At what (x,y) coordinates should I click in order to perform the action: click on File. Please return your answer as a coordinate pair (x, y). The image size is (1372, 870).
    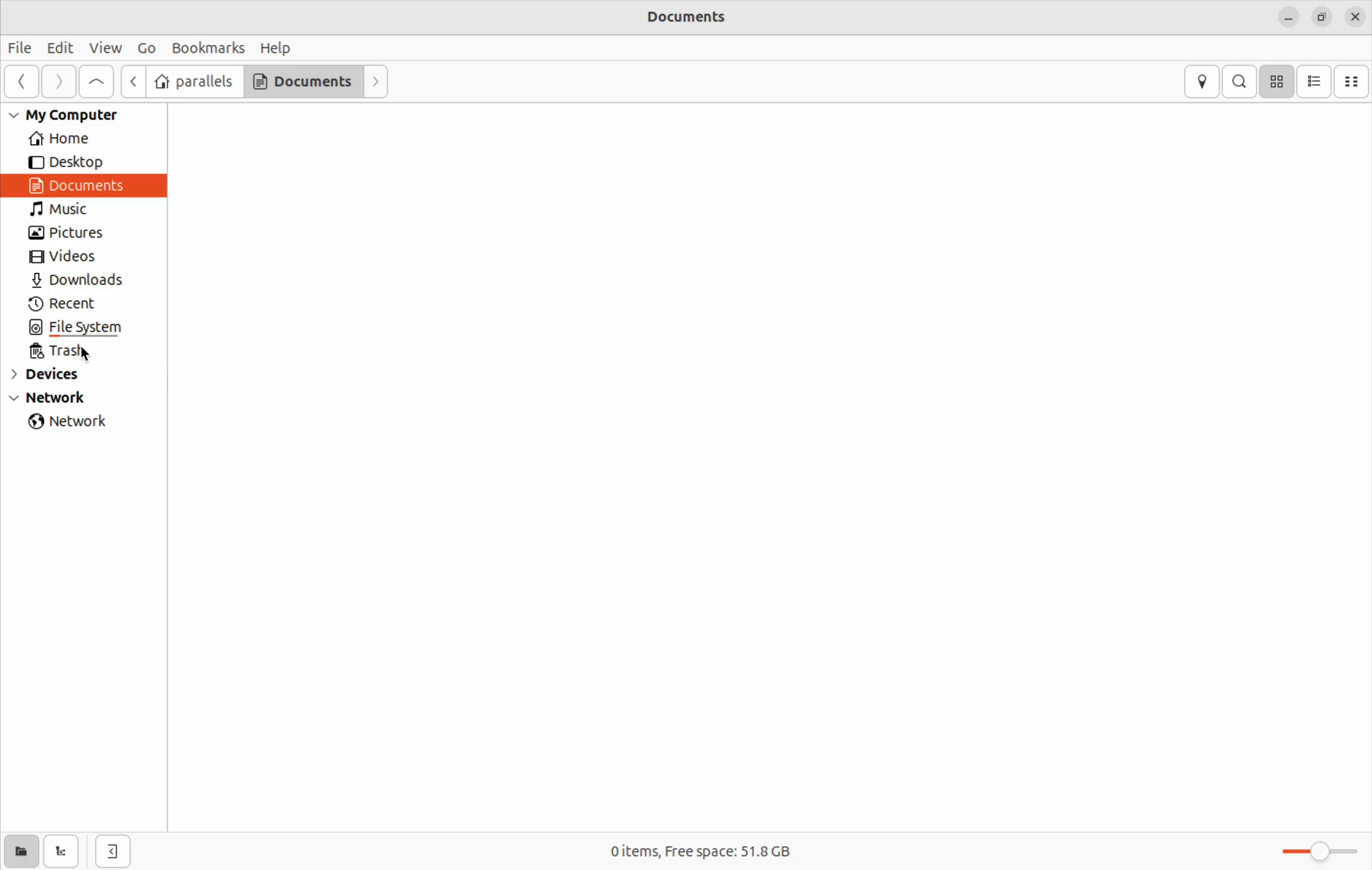
    Looking at the image, I should click on (19, 48).